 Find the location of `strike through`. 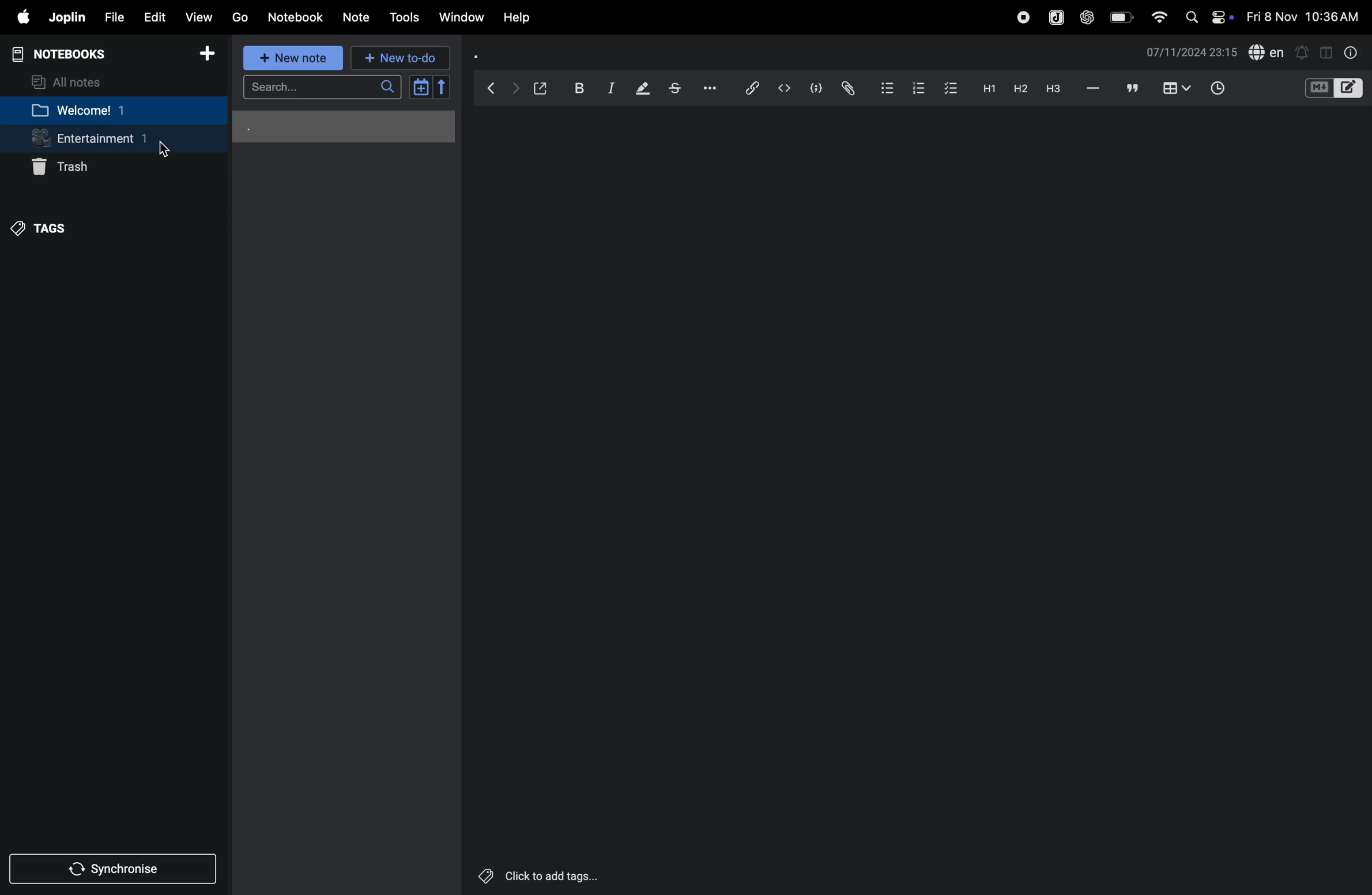

strike through is located at coordinates (679, 88).